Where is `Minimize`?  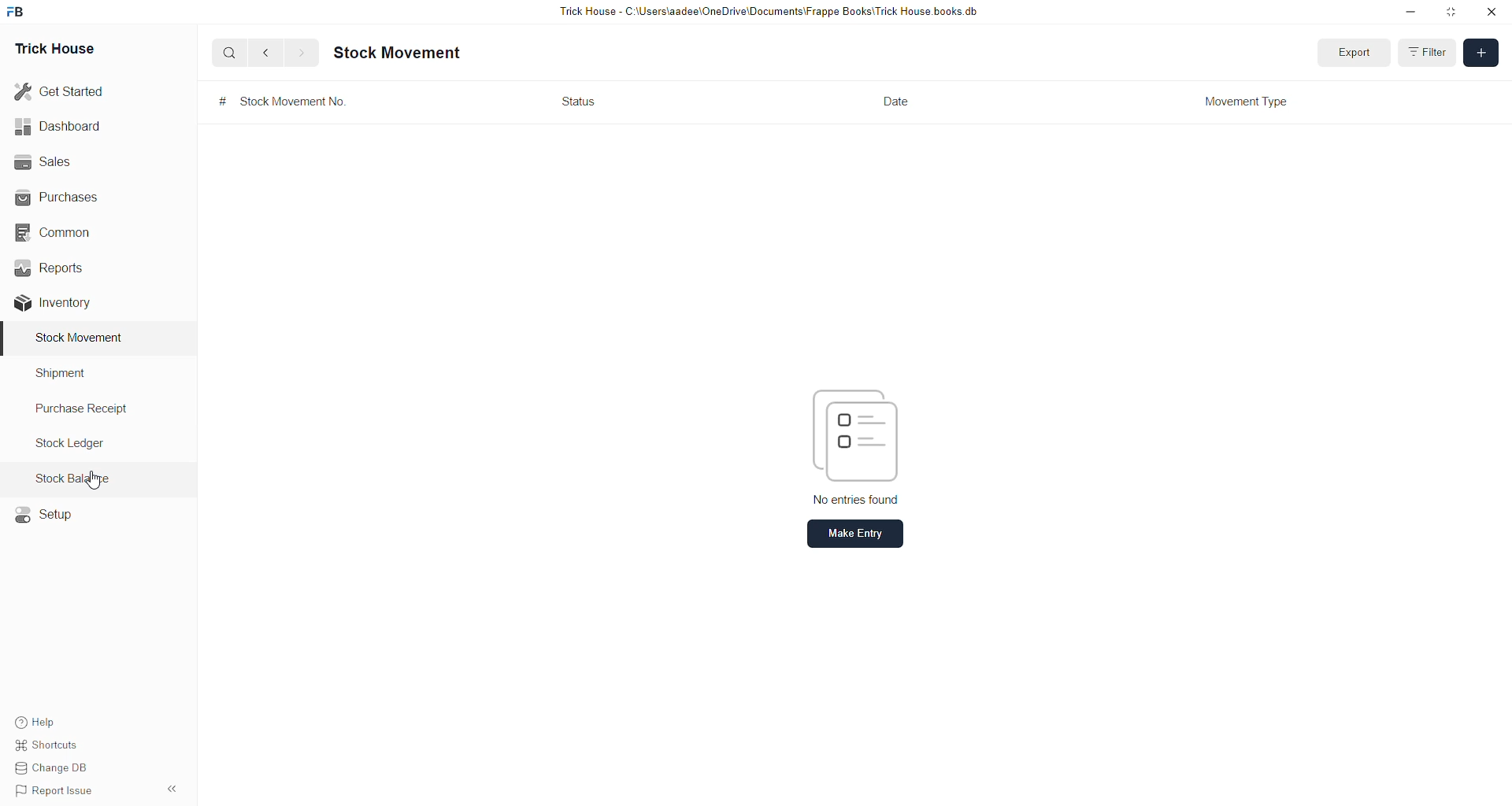
Minimize is located at coordinates (1410, 15).